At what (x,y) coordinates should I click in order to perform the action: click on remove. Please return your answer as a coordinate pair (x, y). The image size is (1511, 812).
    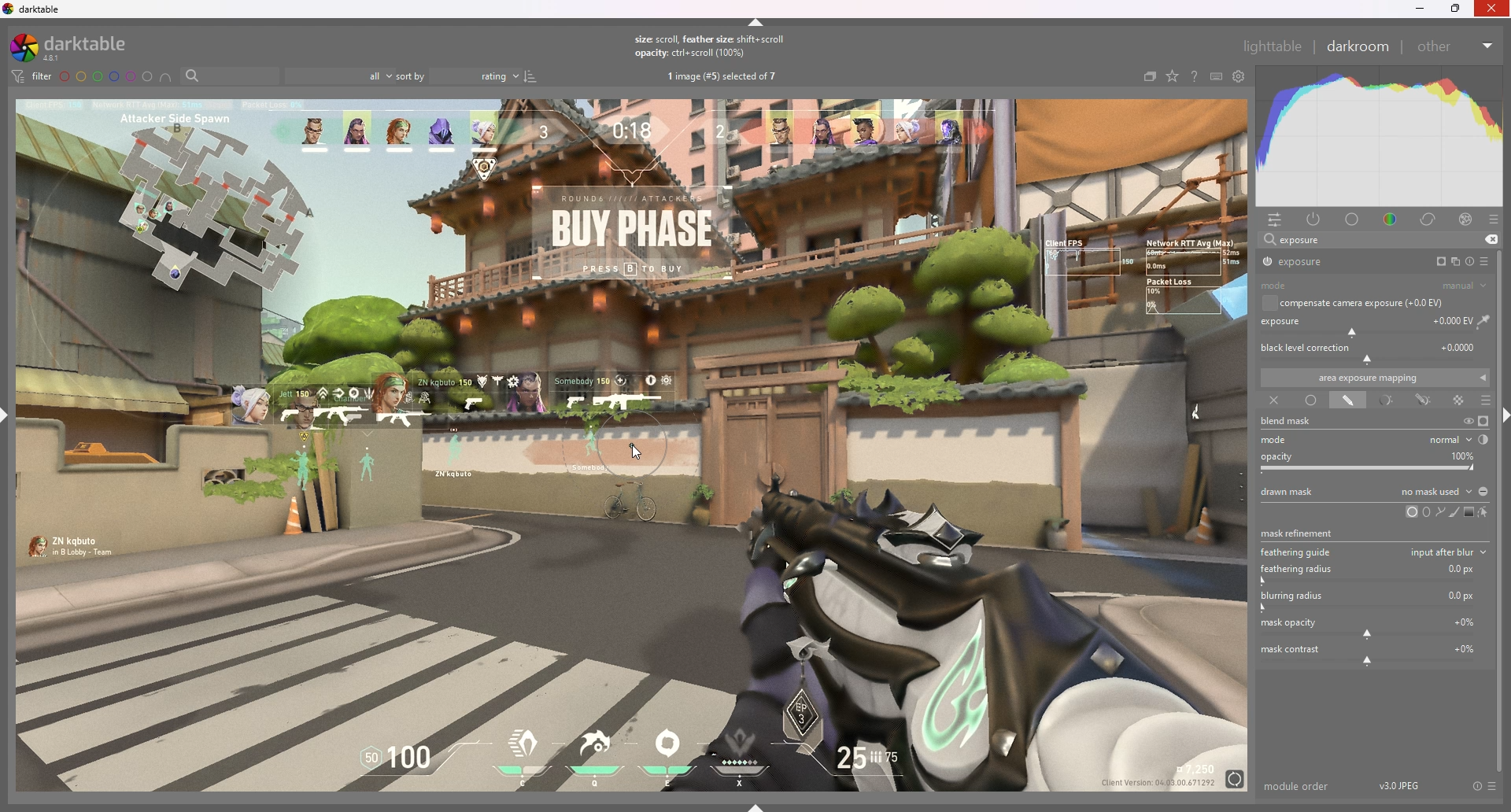
    Looking at the image, I should click on (1491, 240).